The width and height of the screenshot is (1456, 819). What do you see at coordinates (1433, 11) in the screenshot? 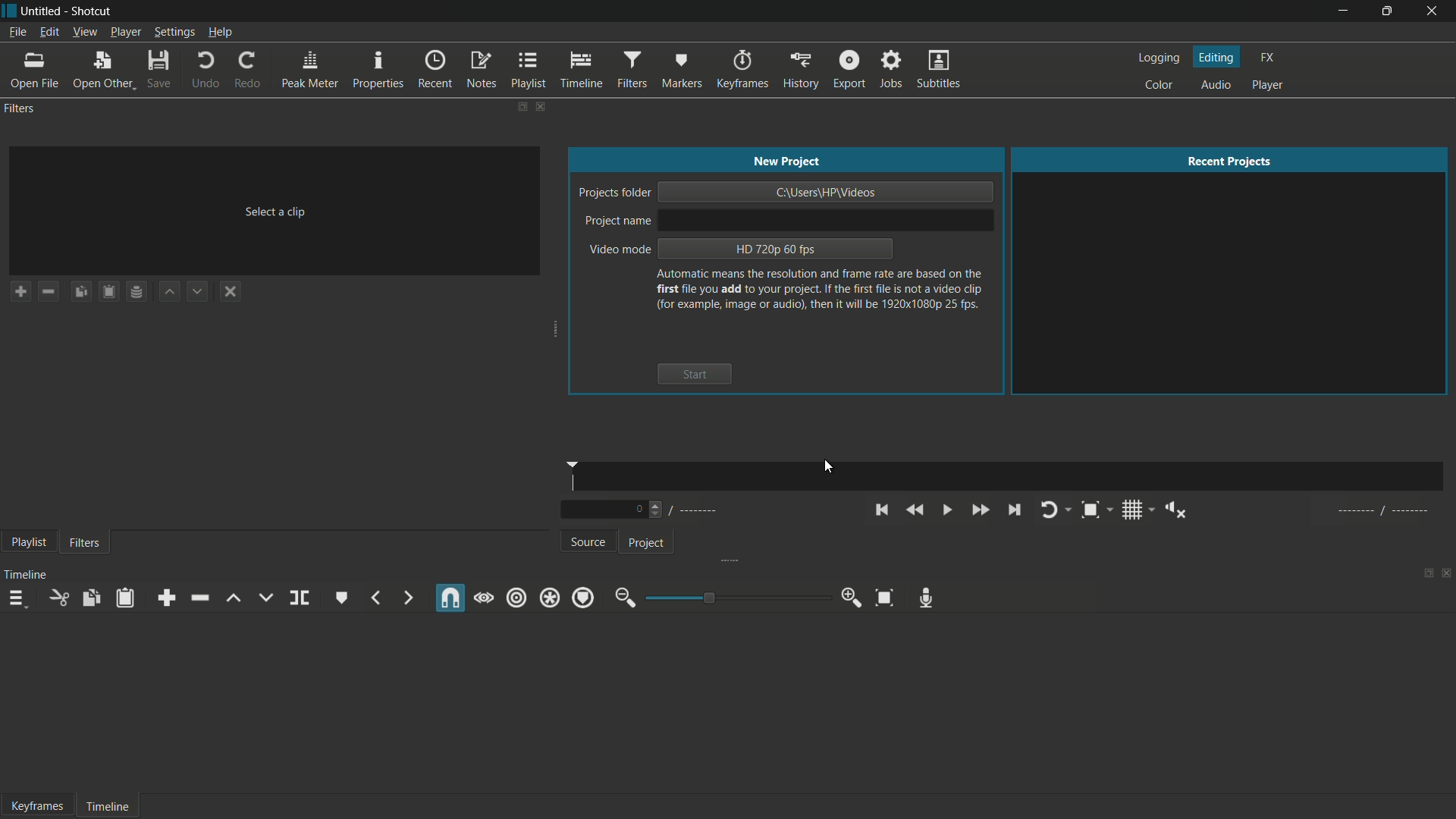
I see `close app` at bounding box center [1433, 11].